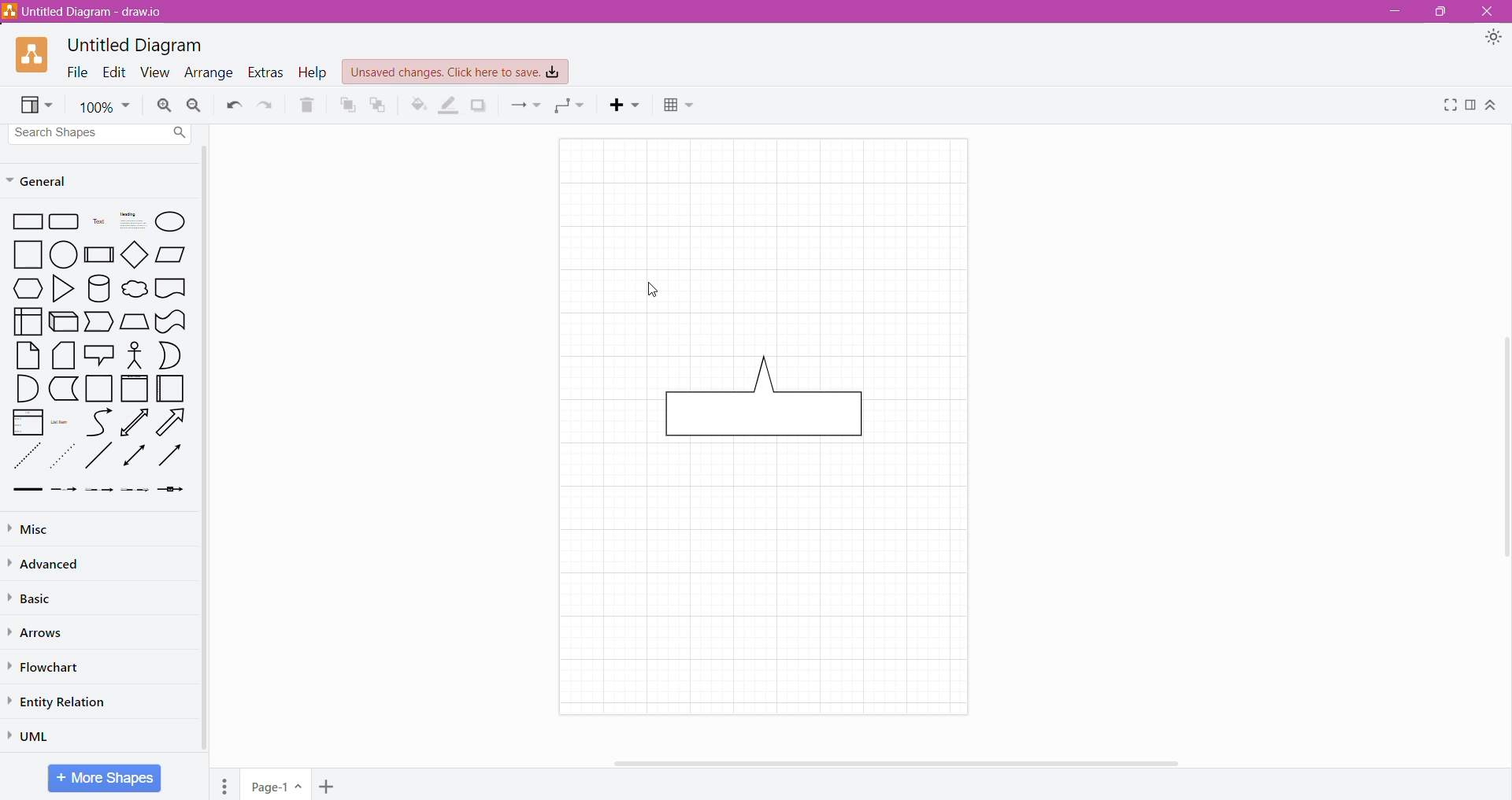 This screenshot has width=1512, height=800. What do you see at coordinates (326, 786) in the screenshot?
I see `Add Page` at bounding box center [326, 786].